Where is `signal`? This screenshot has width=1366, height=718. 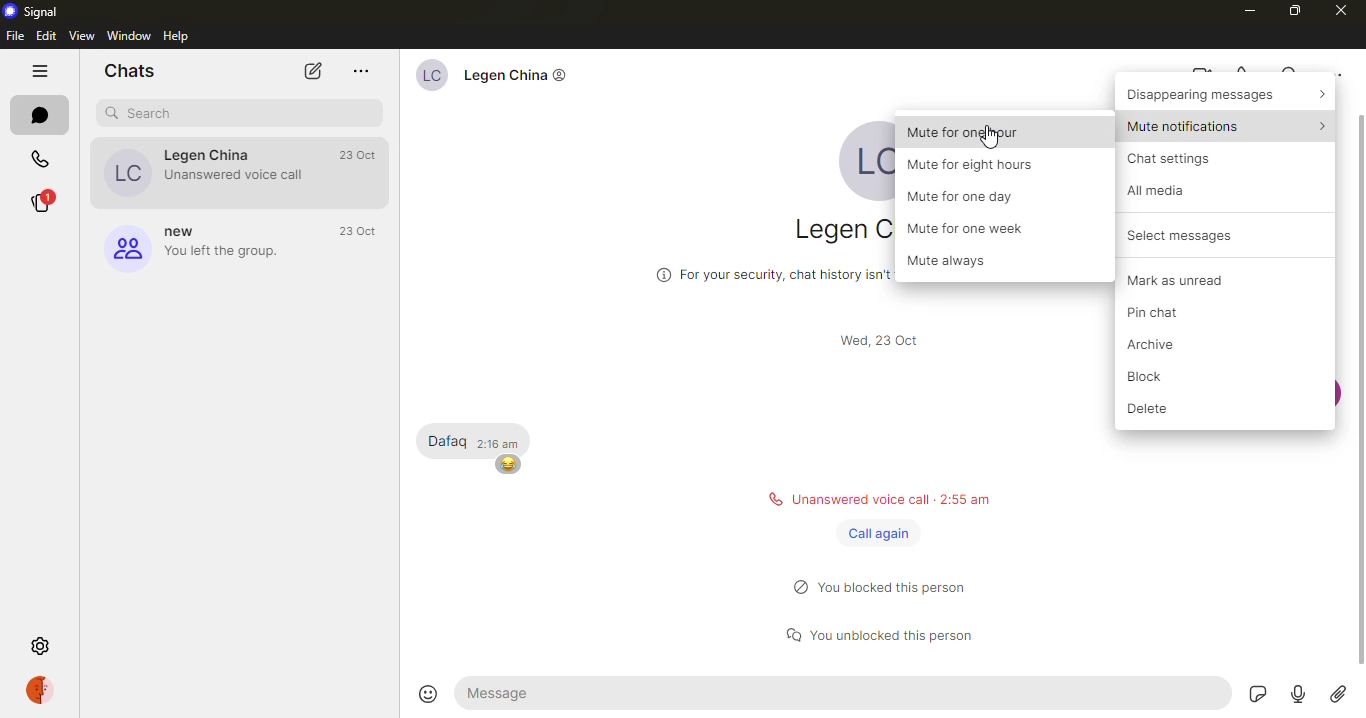 signal is located at coordinates (38, 10).